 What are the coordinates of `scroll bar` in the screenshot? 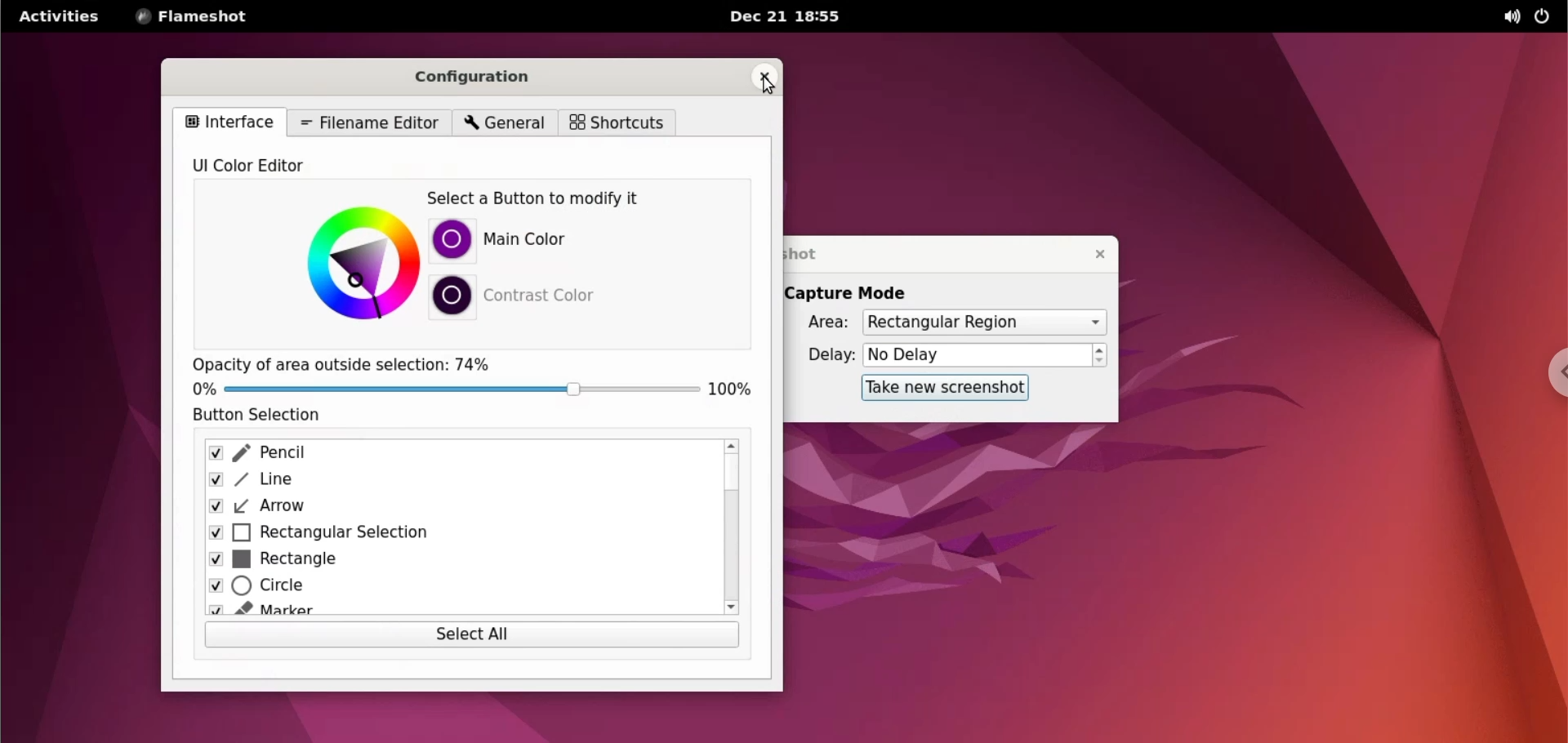 It's located at (732, 527).